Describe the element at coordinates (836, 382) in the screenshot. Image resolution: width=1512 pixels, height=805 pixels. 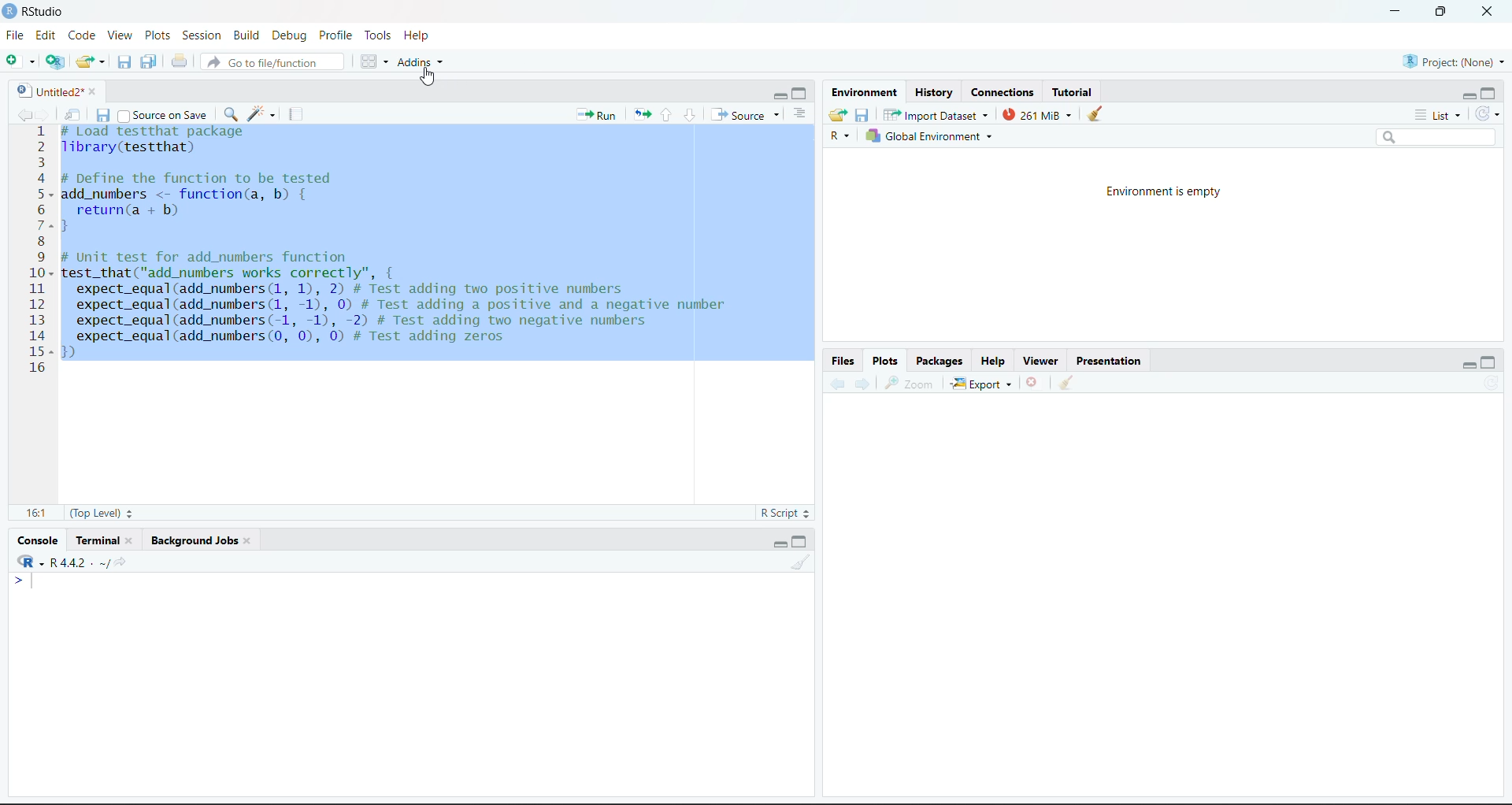
I see `Backward` at that location.